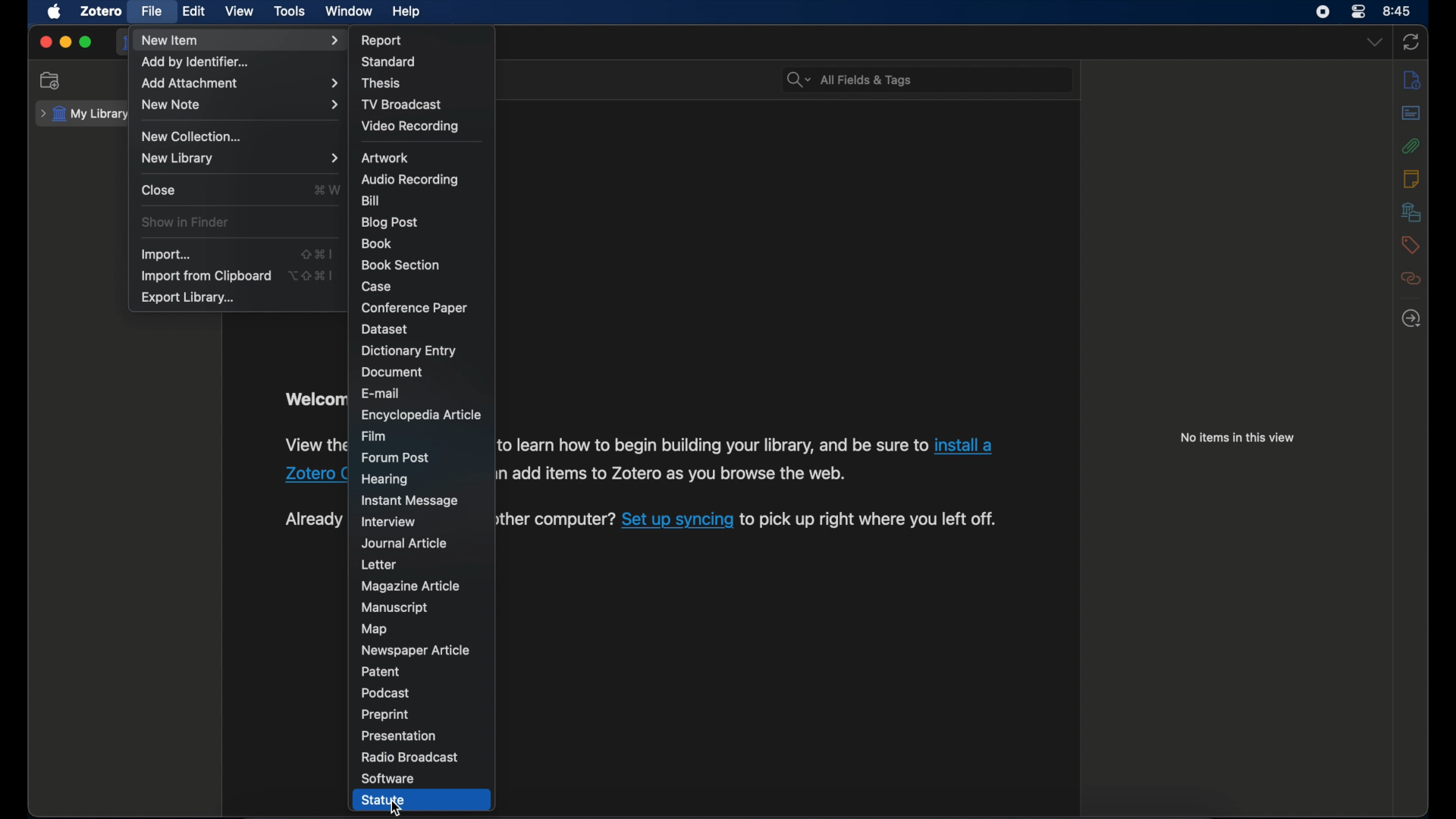 The image size is (1456, 819). What do you see at coordinates (391, 521) in the screenshot?
I see `interview` at bounding box center [391, 521].